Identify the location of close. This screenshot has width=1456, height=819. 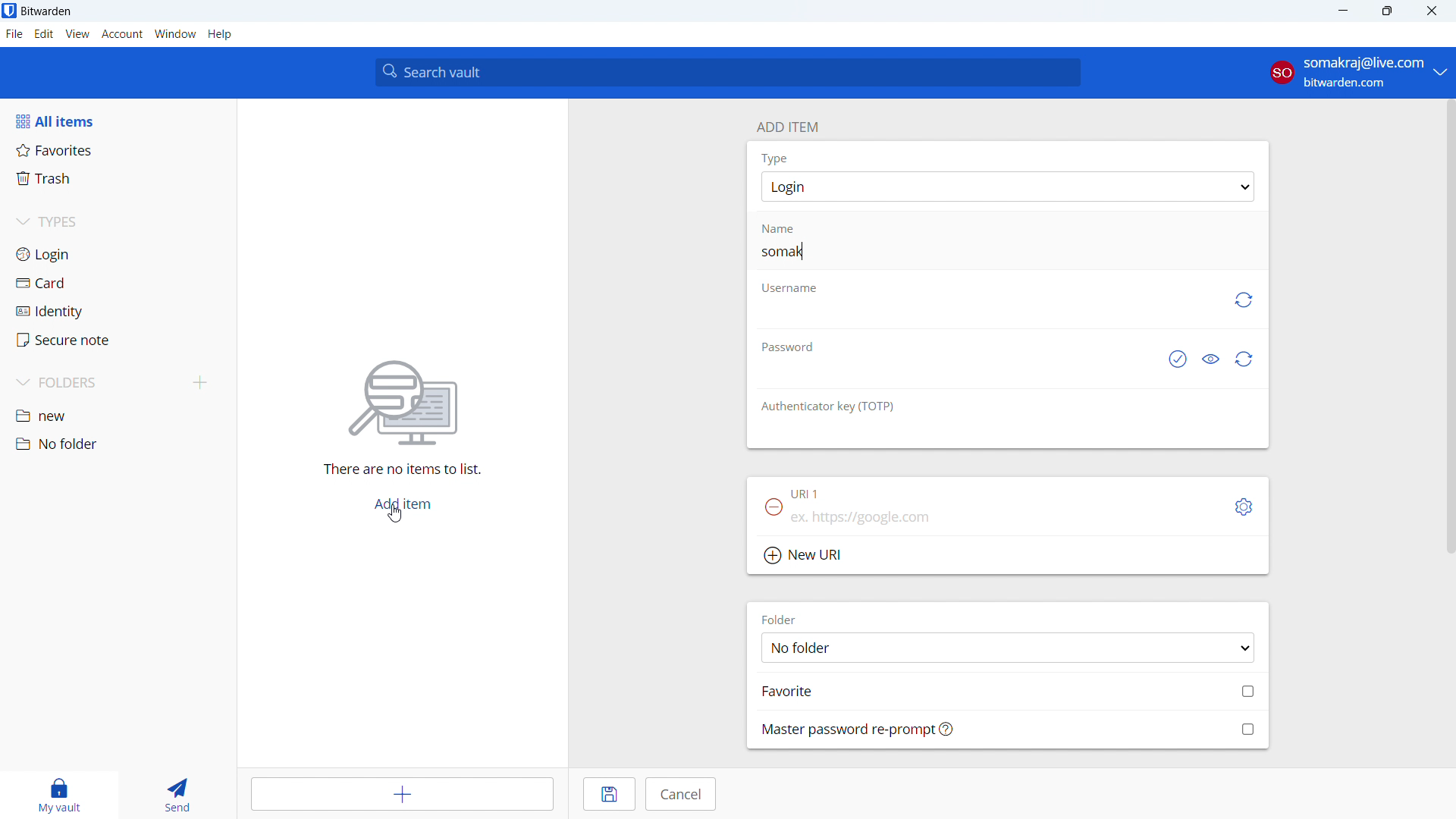
(1432, 11).